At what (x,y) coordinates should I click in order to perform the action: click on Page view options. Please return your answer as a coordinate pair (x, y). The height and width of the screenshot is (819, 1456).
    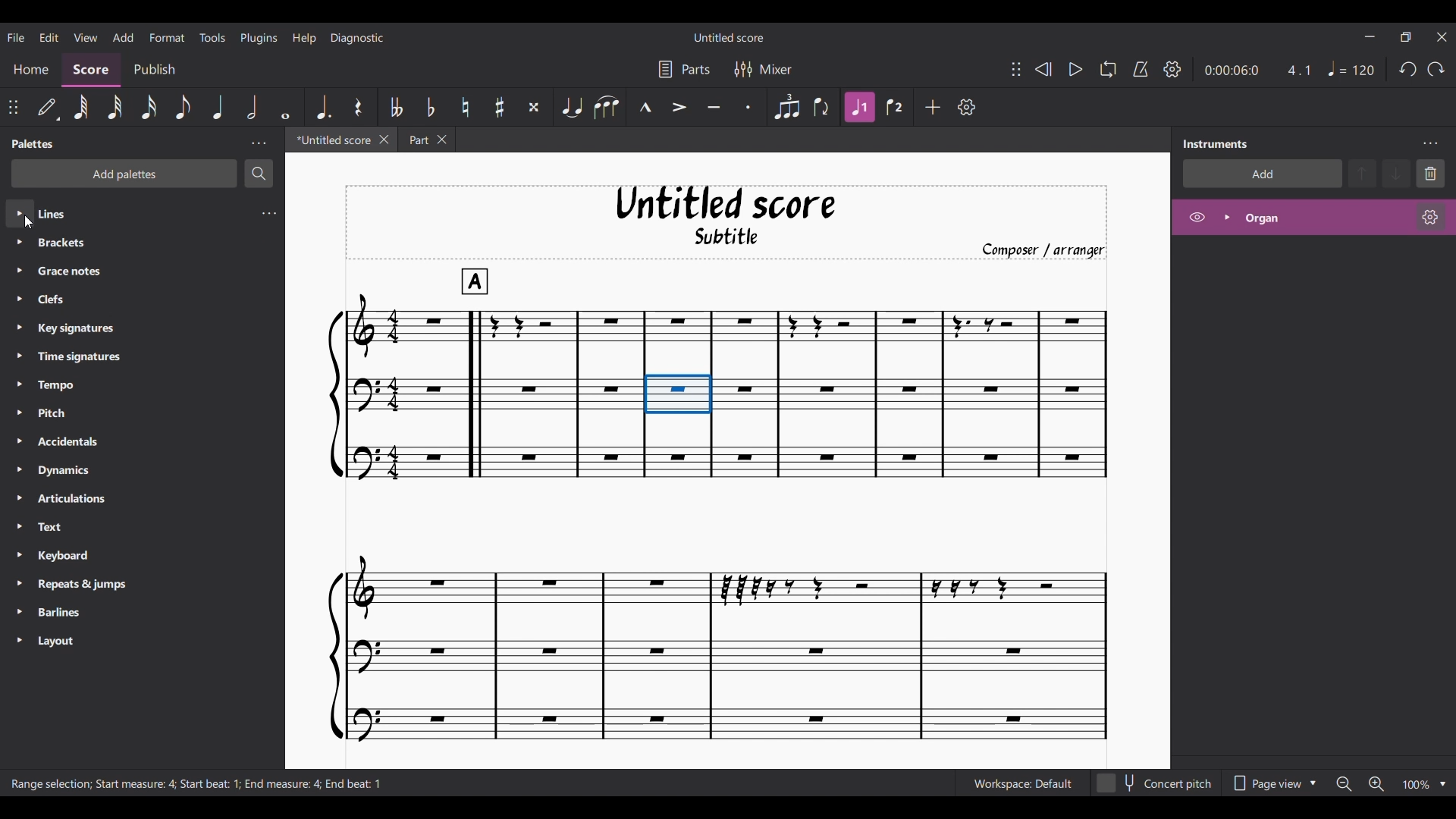
    Looking at the image, I should click on (1272, 783).